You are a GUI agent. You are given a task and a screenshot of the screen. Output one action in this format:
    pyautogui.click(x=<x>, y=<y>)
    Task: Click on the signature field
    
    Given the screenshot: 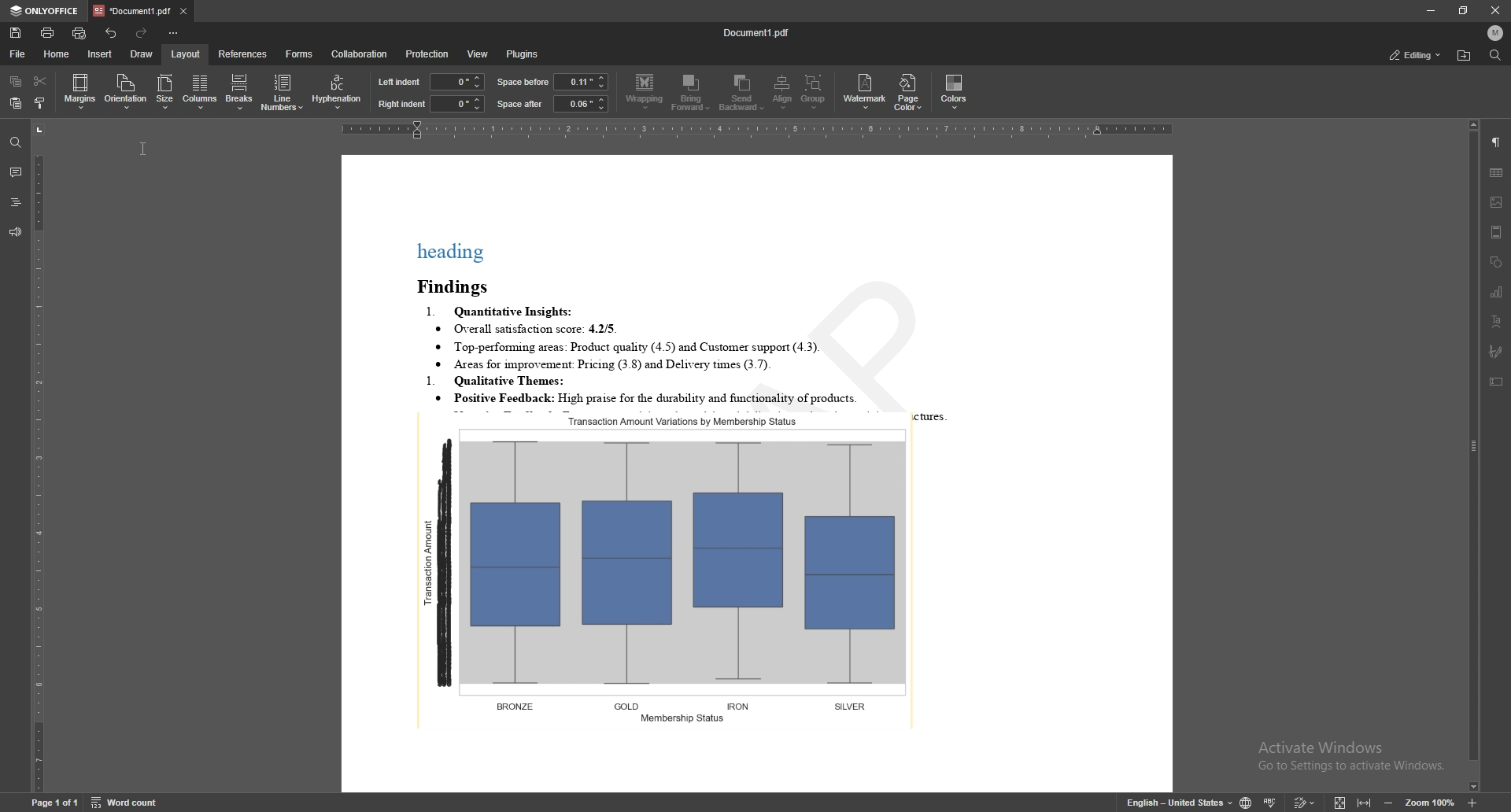 What is the action you would take?
    pyautogui.click(x=1497, y=352)
    